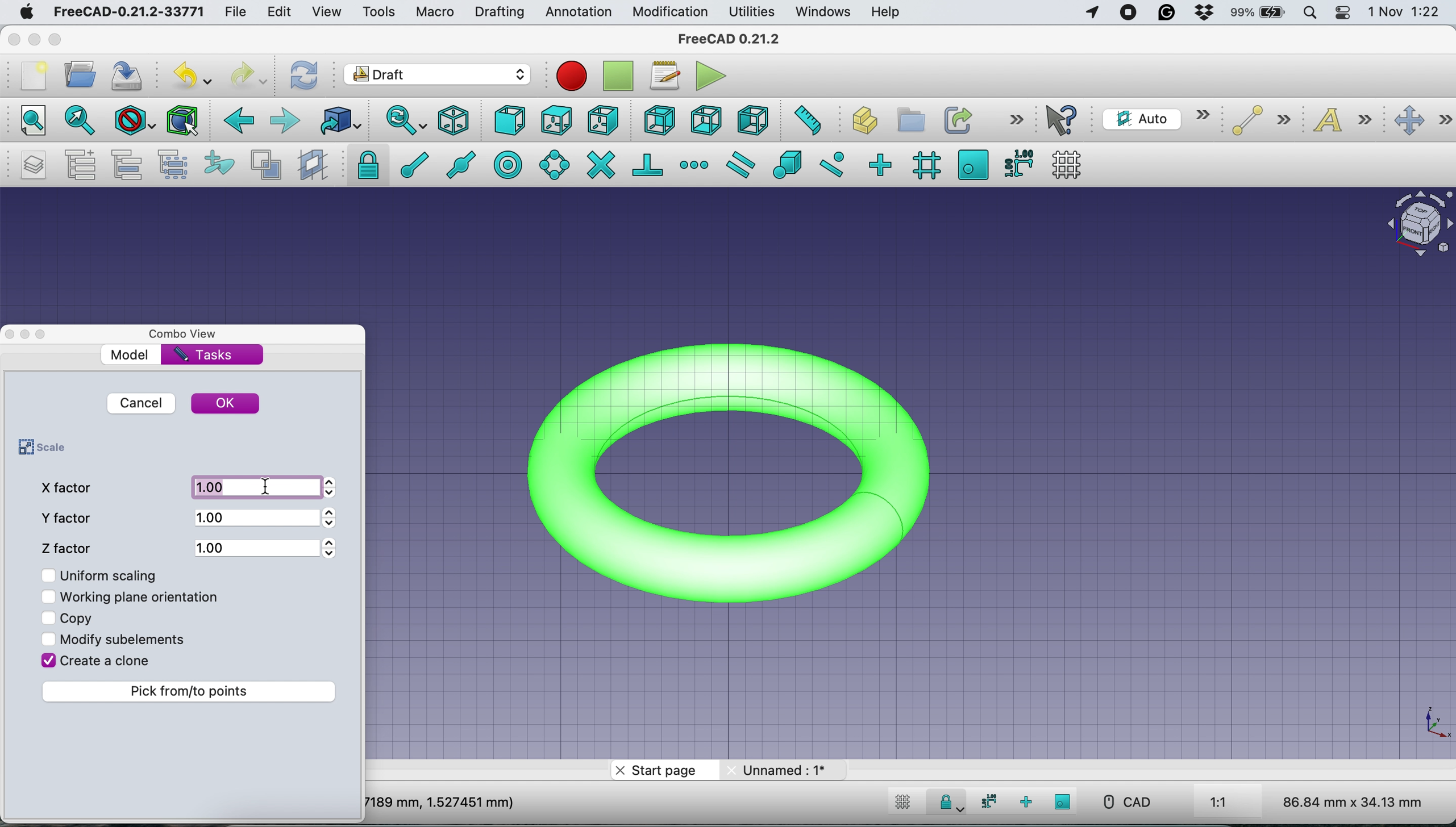 This screenshot has height=827, width=1456. I want to click on measure distance, so click(806, 122).